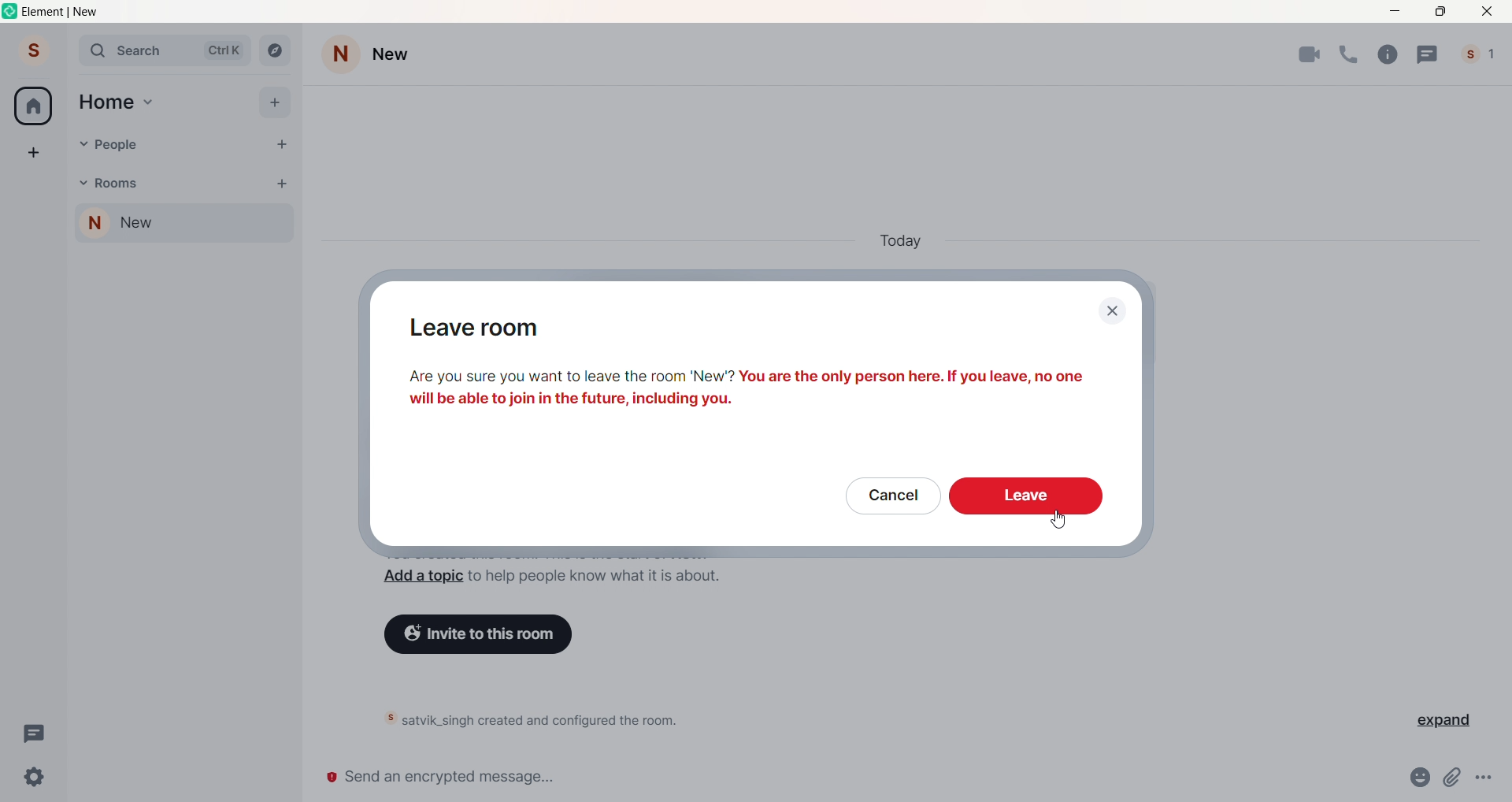 Image resolution: width=1512 pixels, height=802 pixels. Describe the element at coordinates (1392, 54) in the screenshot. I see `Room Info` at that location.